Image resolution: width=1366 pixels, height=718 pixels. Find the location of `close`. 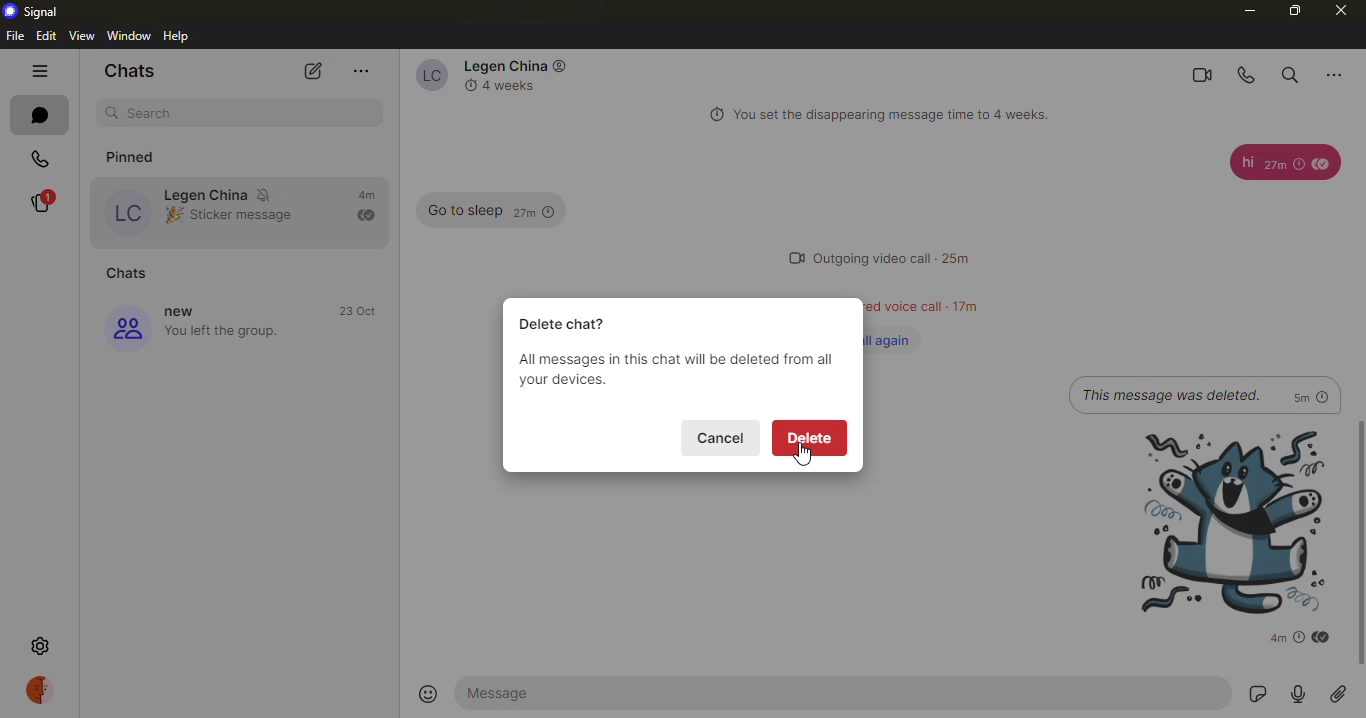

close is located at coordinates (1339, 12).